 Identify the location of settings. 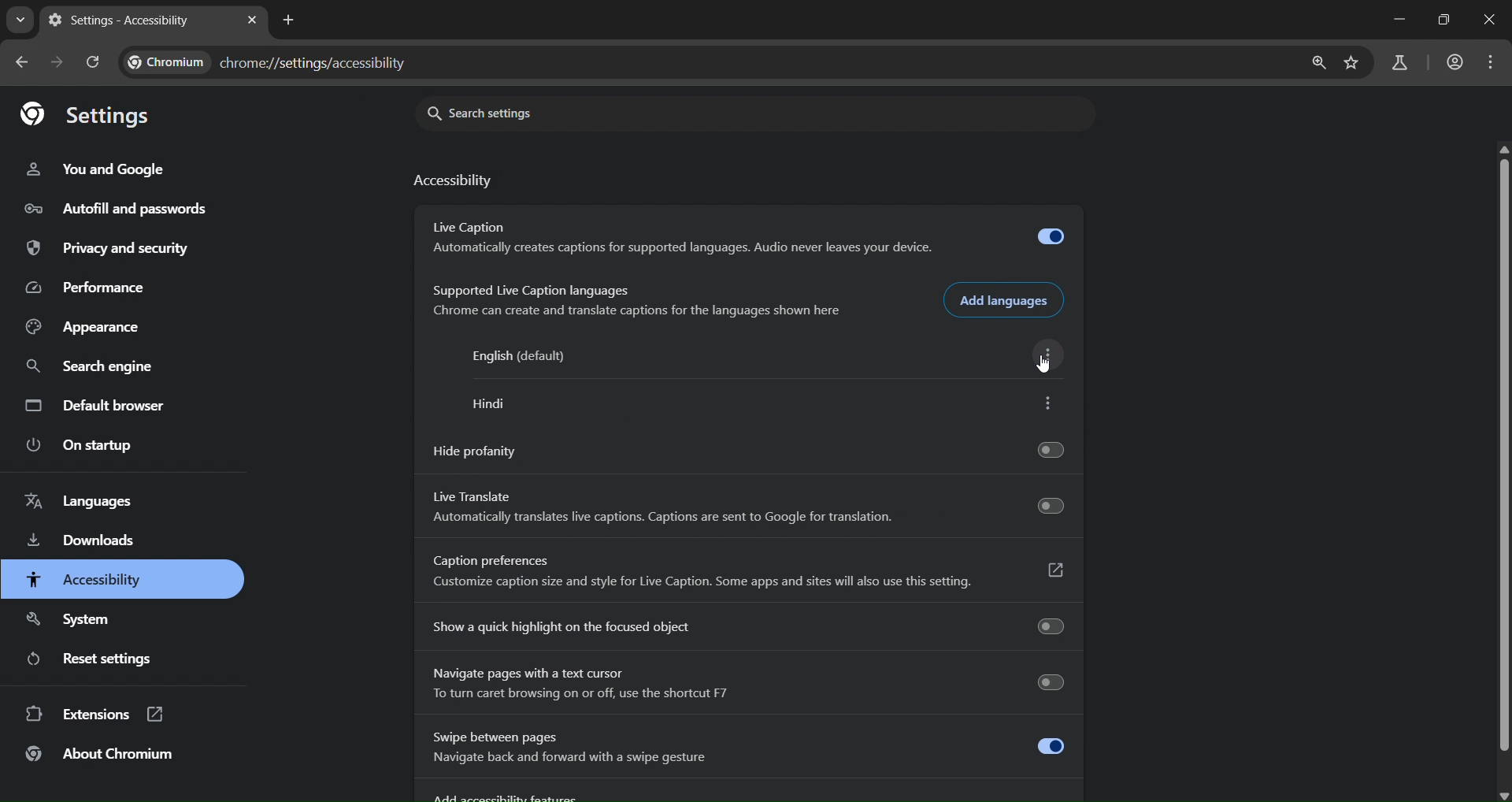
(86, 117).